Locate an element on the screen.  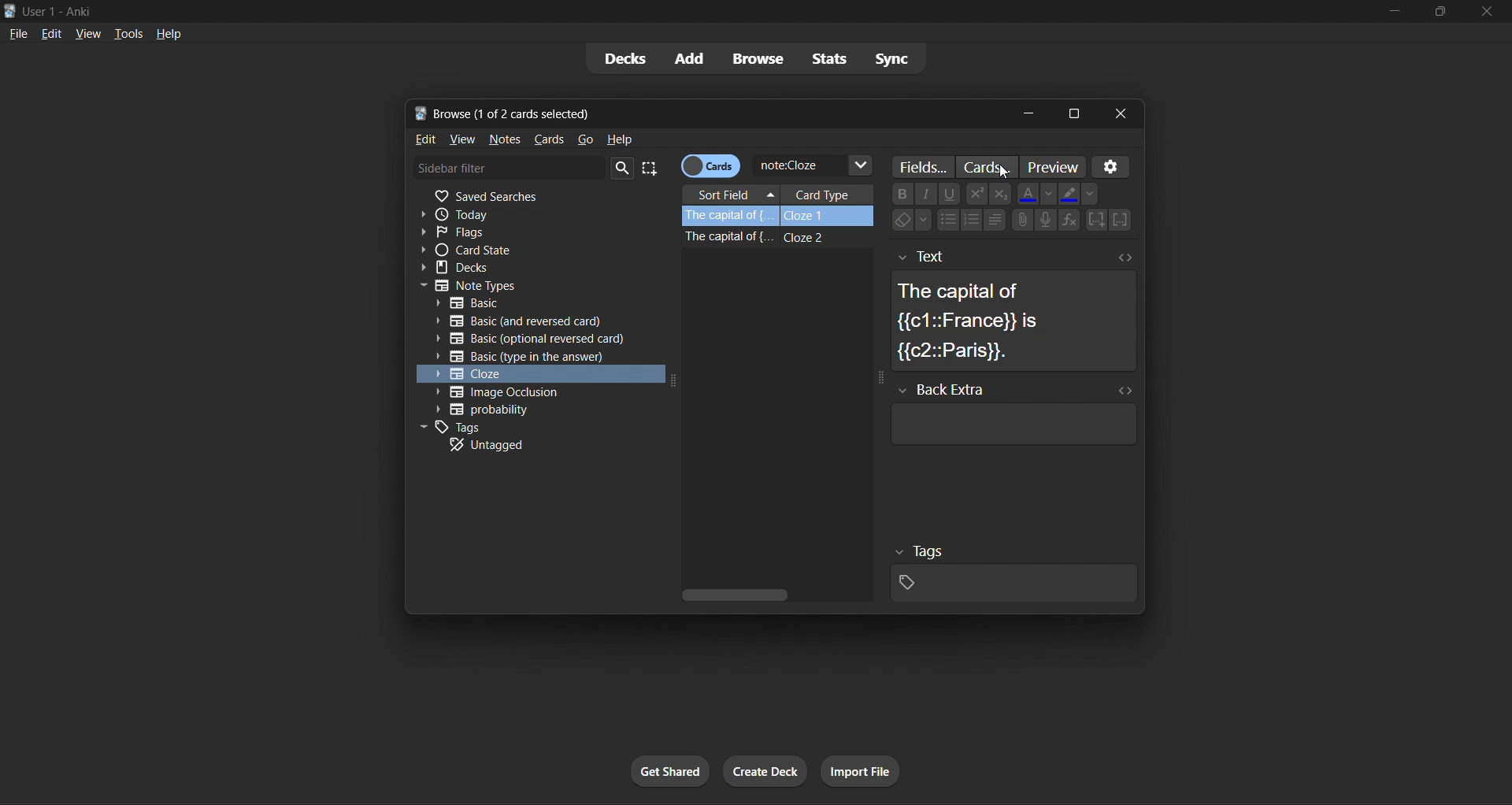
untagged filter is located at coordinates (528, 444).